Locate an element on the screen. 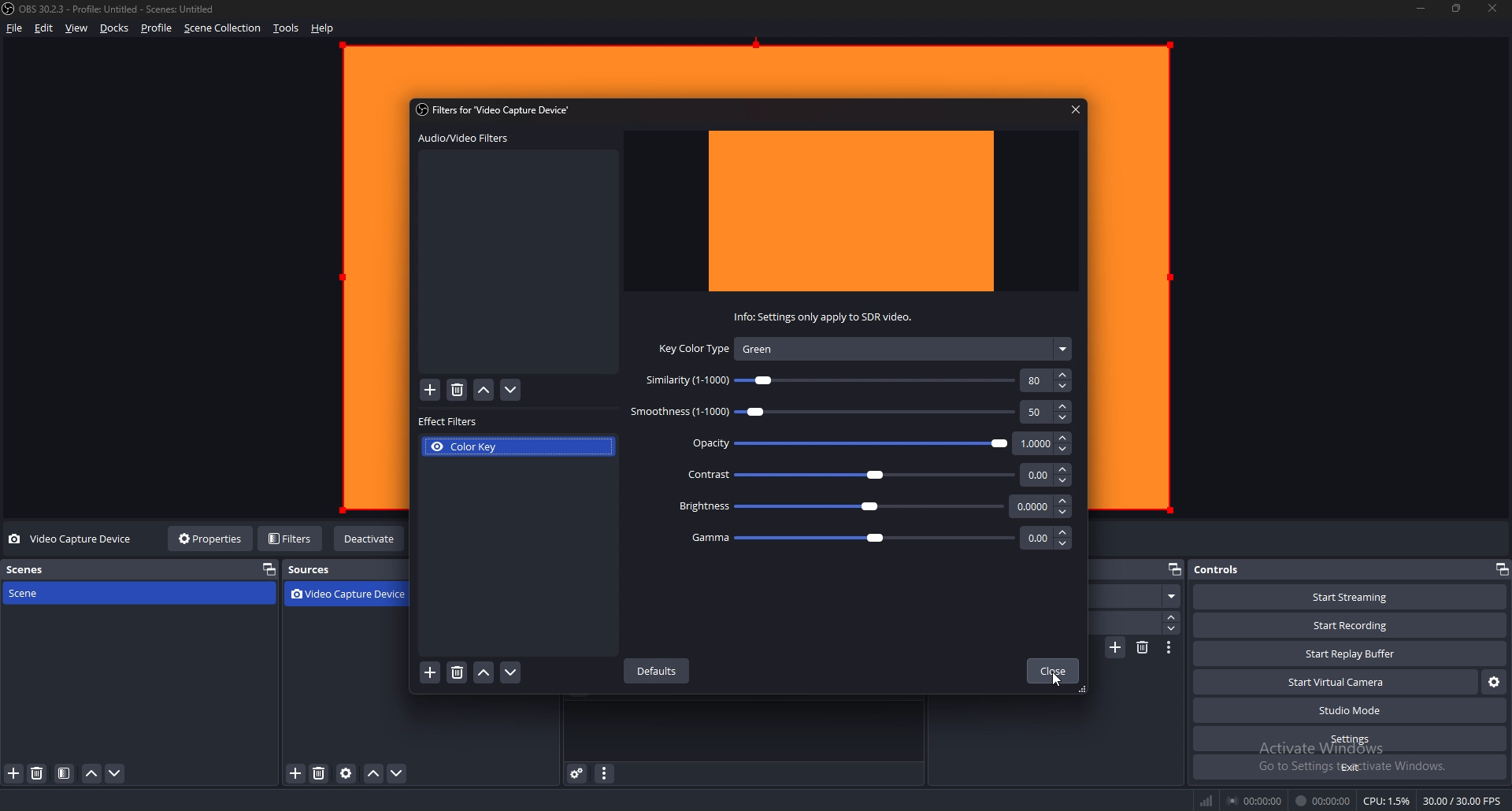  scene collection is located at coordinates (223, 28).